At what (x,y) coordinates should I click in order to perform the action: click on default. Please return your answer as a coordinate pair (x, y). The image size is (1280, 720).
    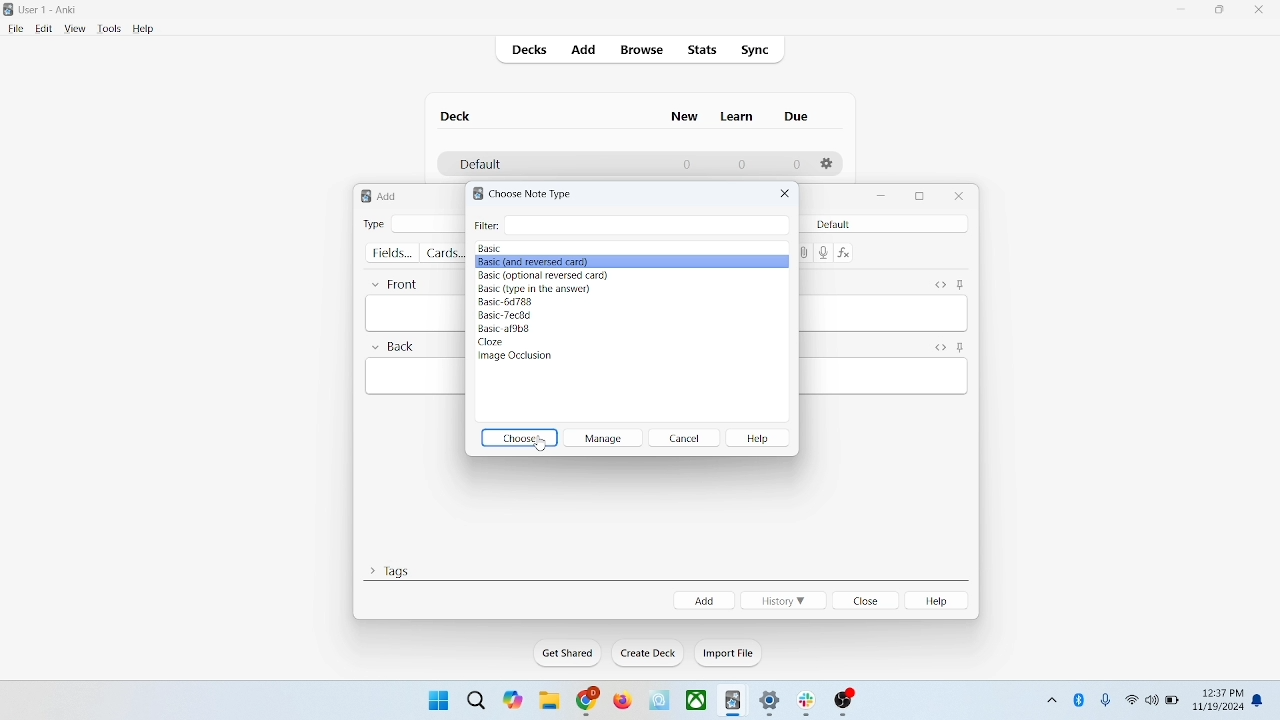
    Looking at the image, I should click on (479, 165).